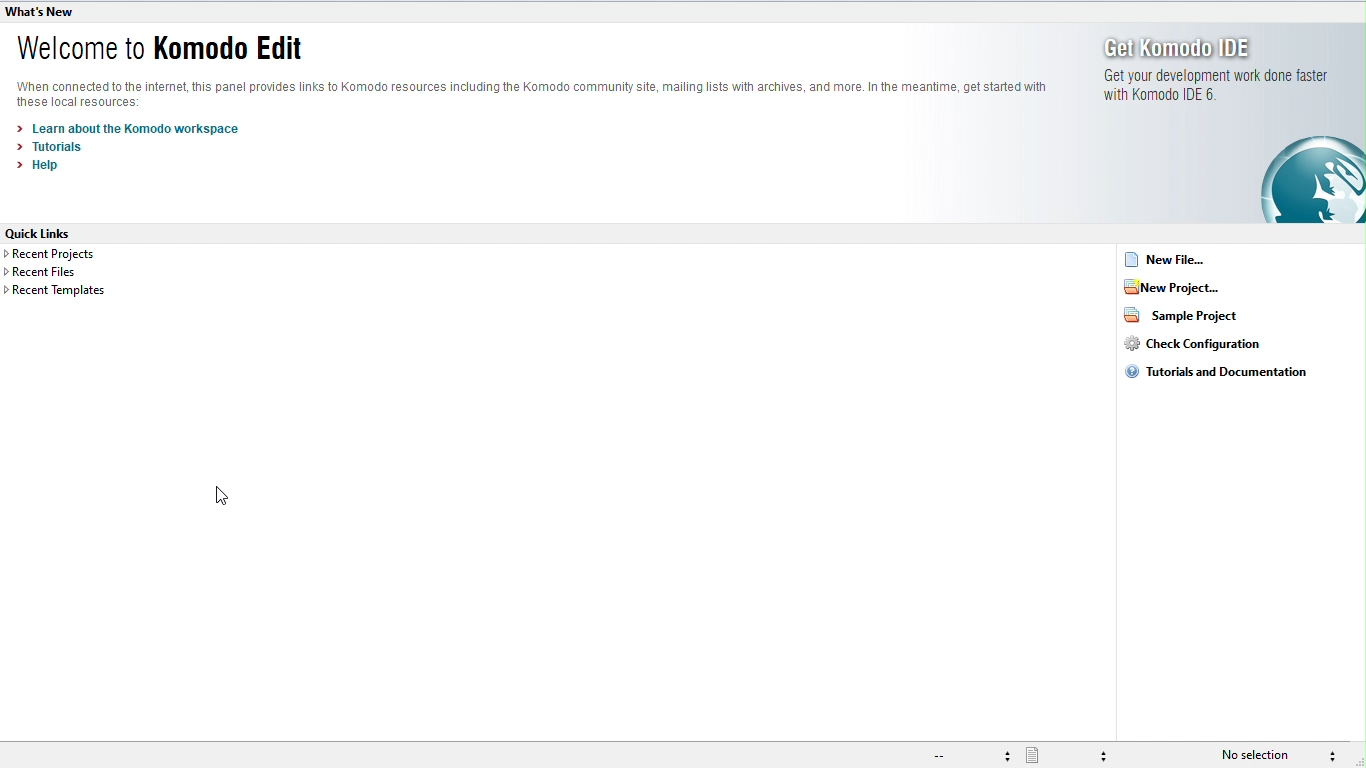 The width and height of the screenshot is (1366, 768). I want to click on cursor, so click(221, 496).